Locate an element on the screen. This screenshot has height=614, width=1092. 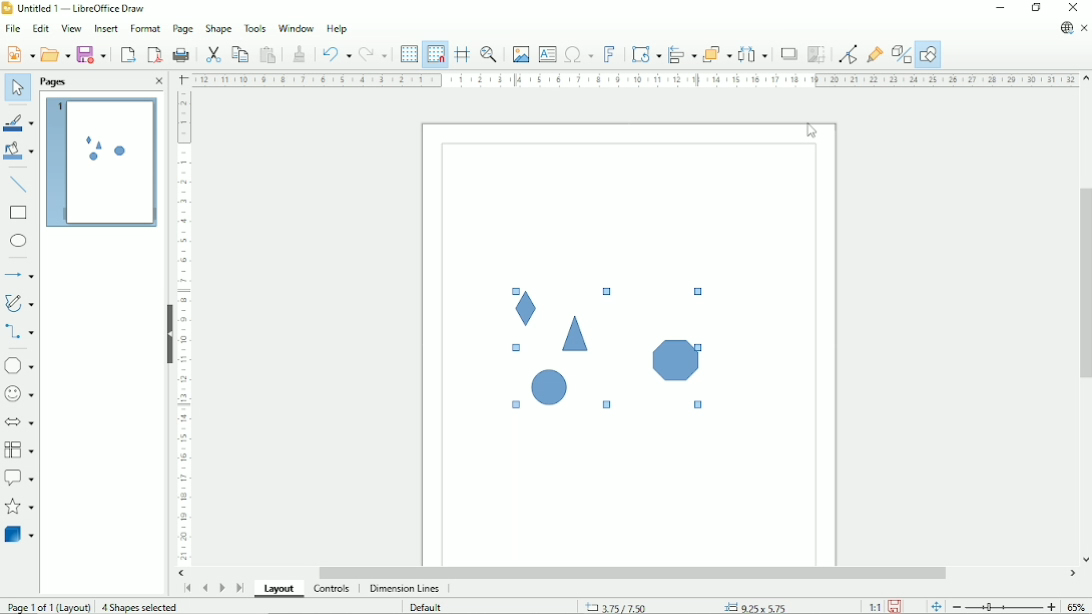
Flowchart is located at coordinates (20, 450).